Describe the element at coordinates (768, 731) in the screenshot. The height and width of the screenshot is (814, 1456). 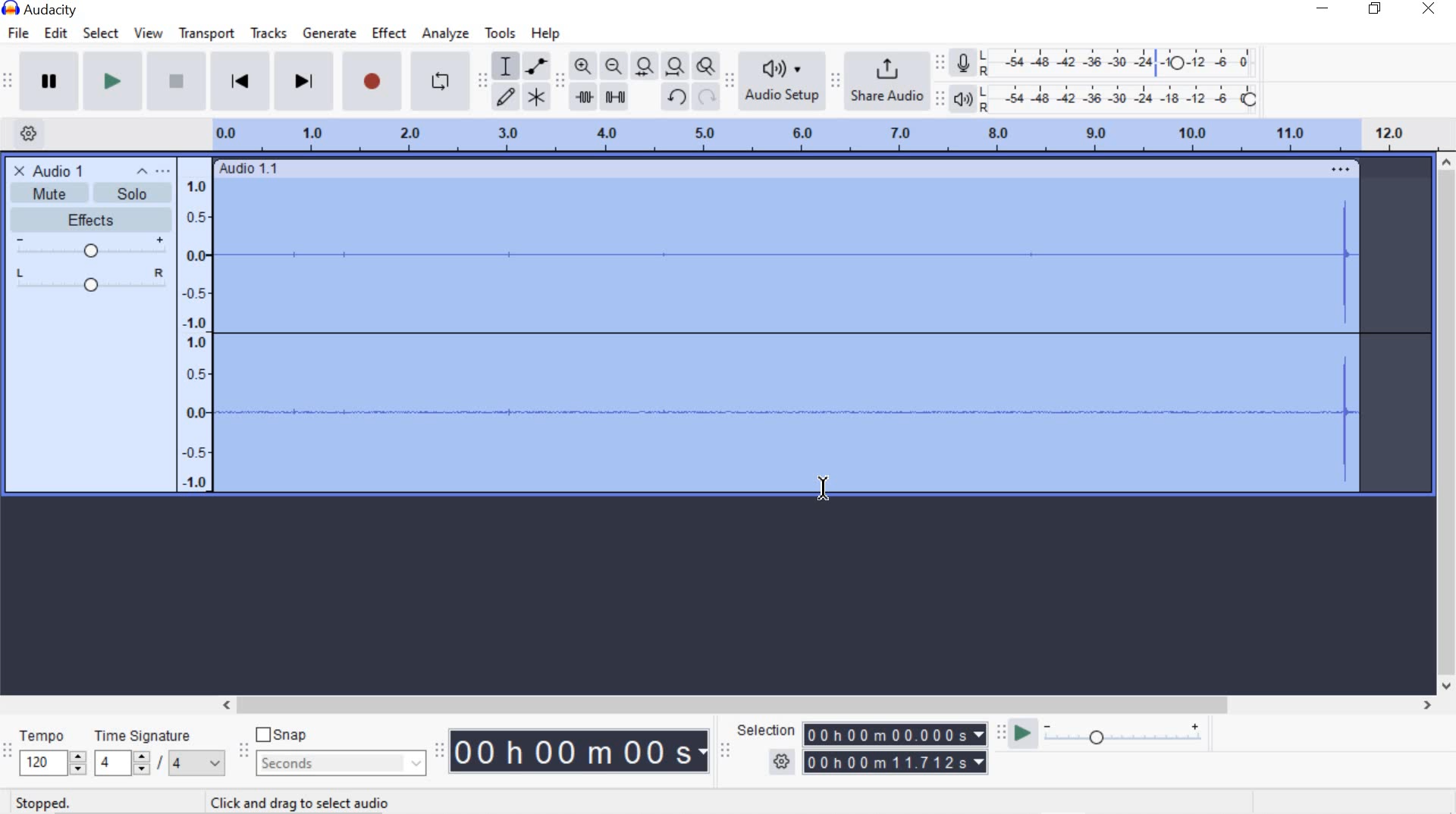
I see `SELECTION` at that location.